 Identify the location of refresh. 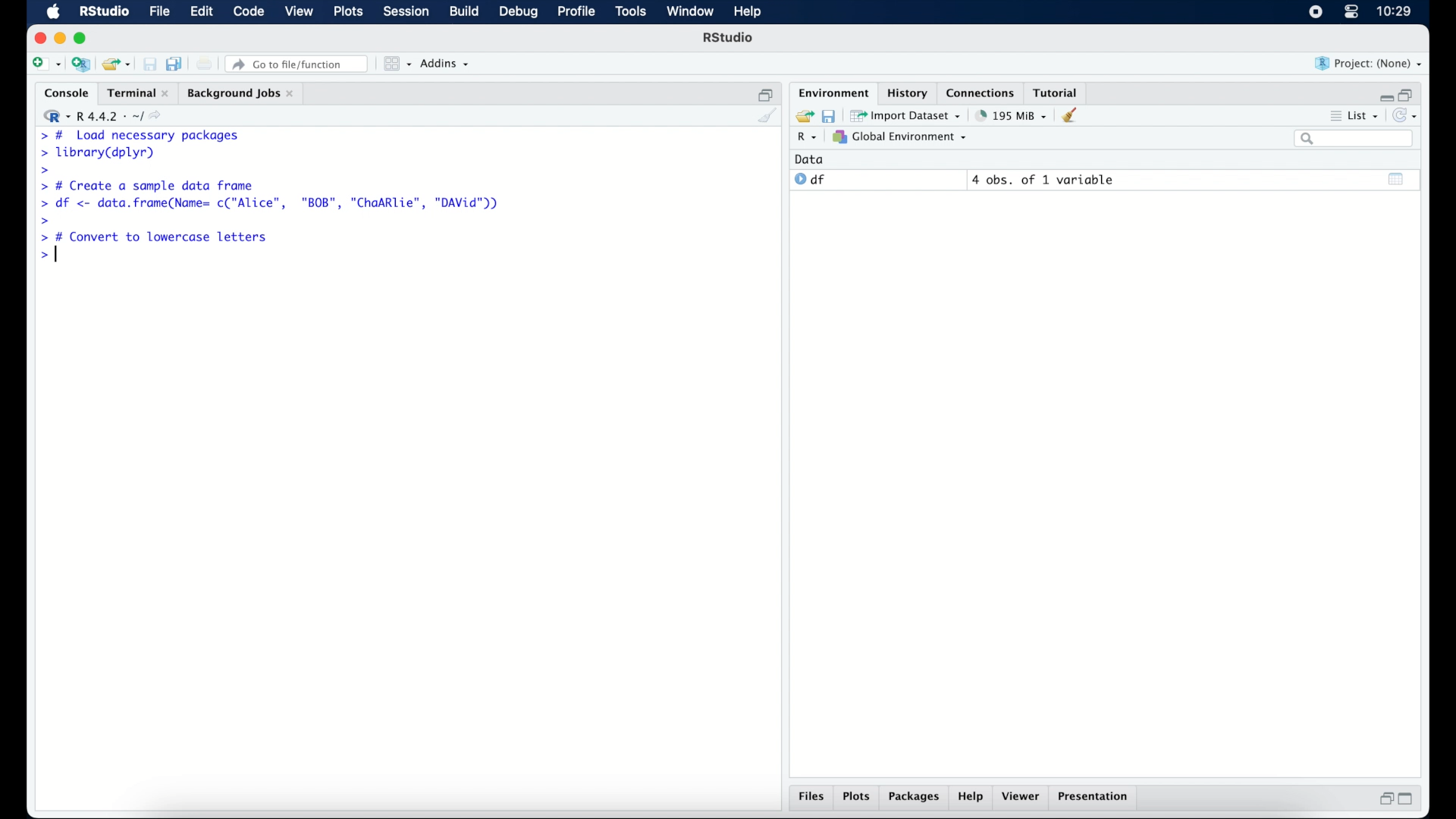
(1407, 117).